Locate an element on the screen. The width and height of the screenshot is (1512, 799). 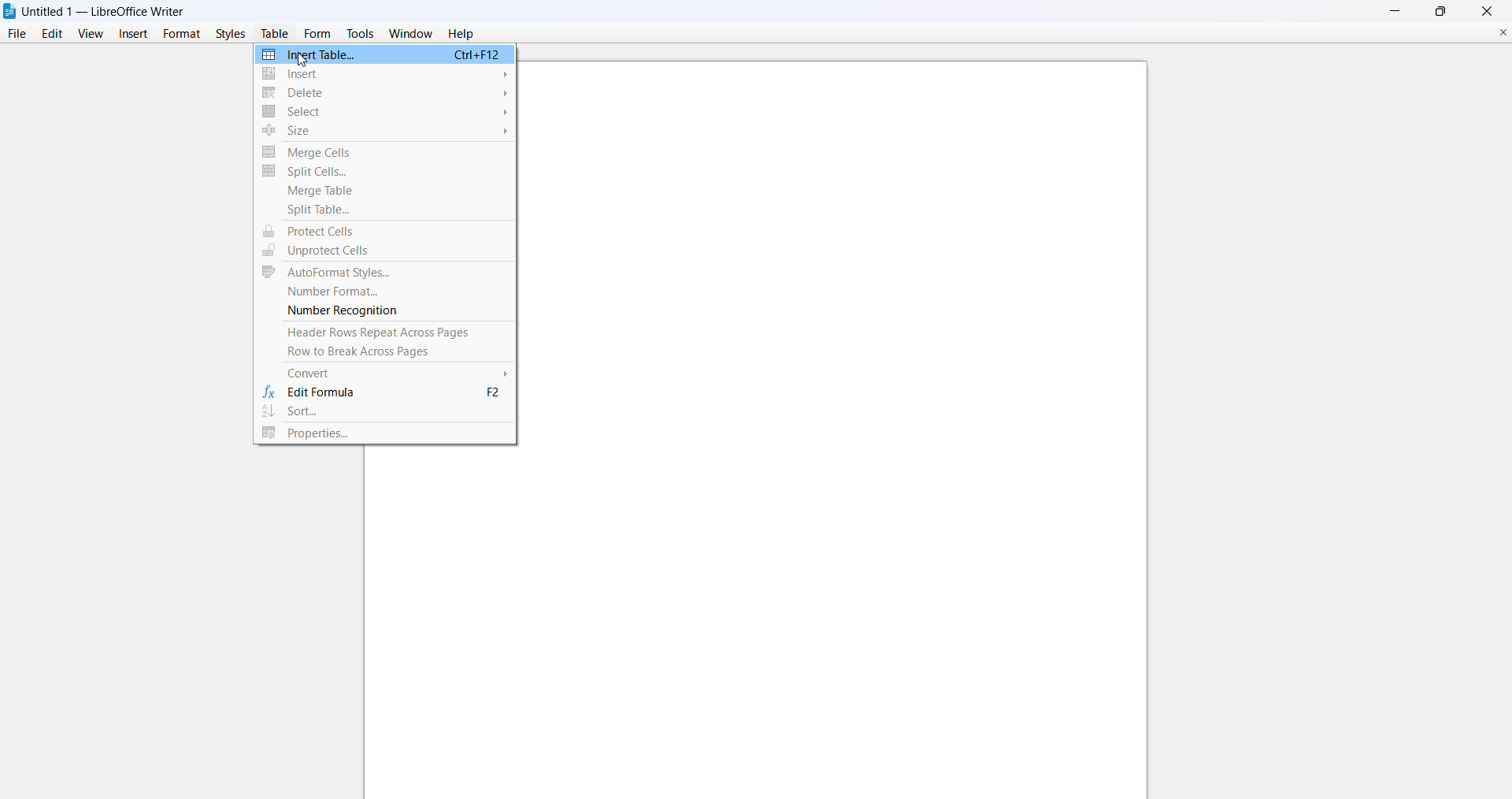
split table is located at coordinates (384, 210).